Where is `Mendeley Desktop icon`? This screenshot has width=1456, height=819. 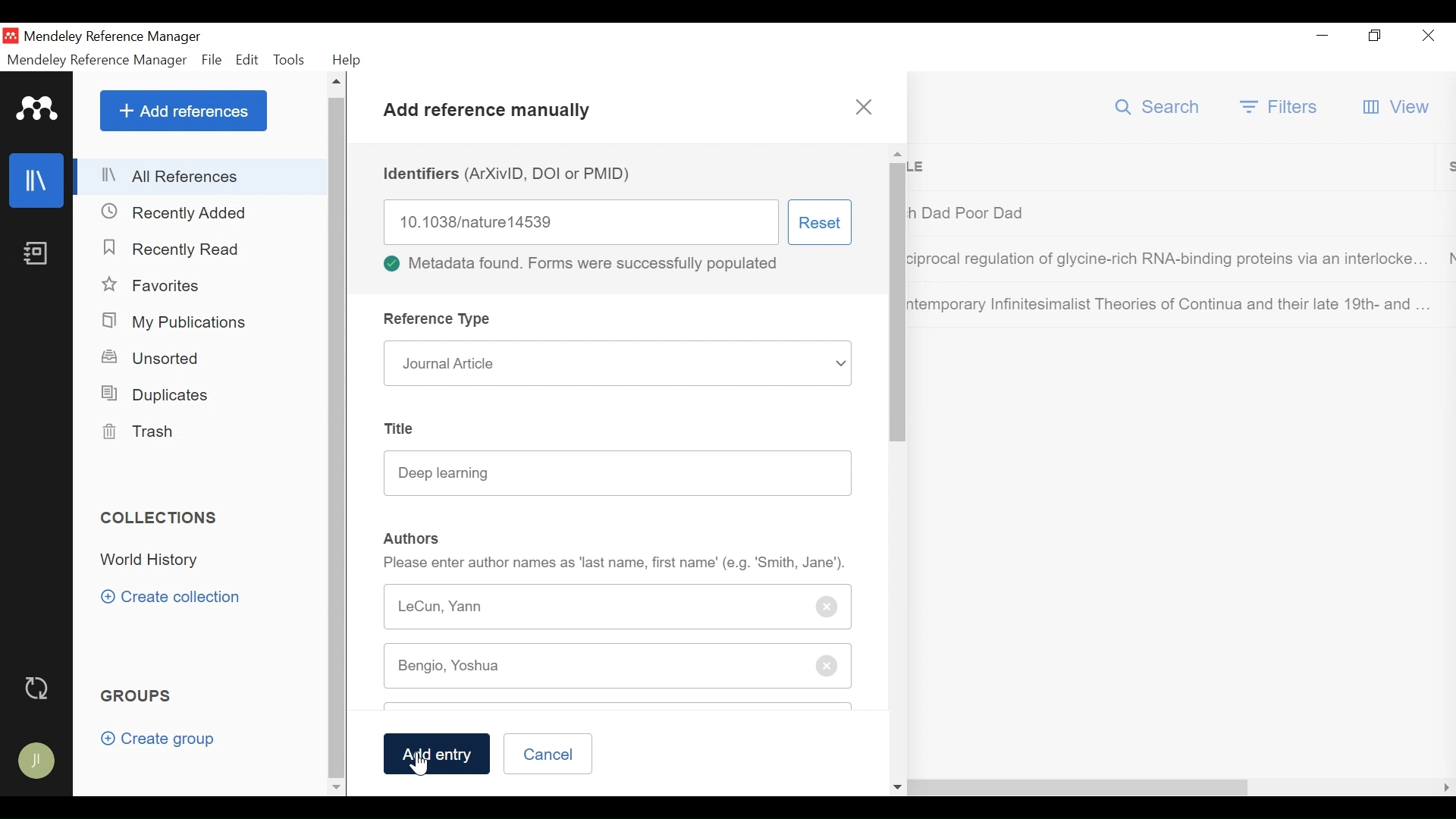
Mendeley Desktop icon is located at coordinates (10, 35).